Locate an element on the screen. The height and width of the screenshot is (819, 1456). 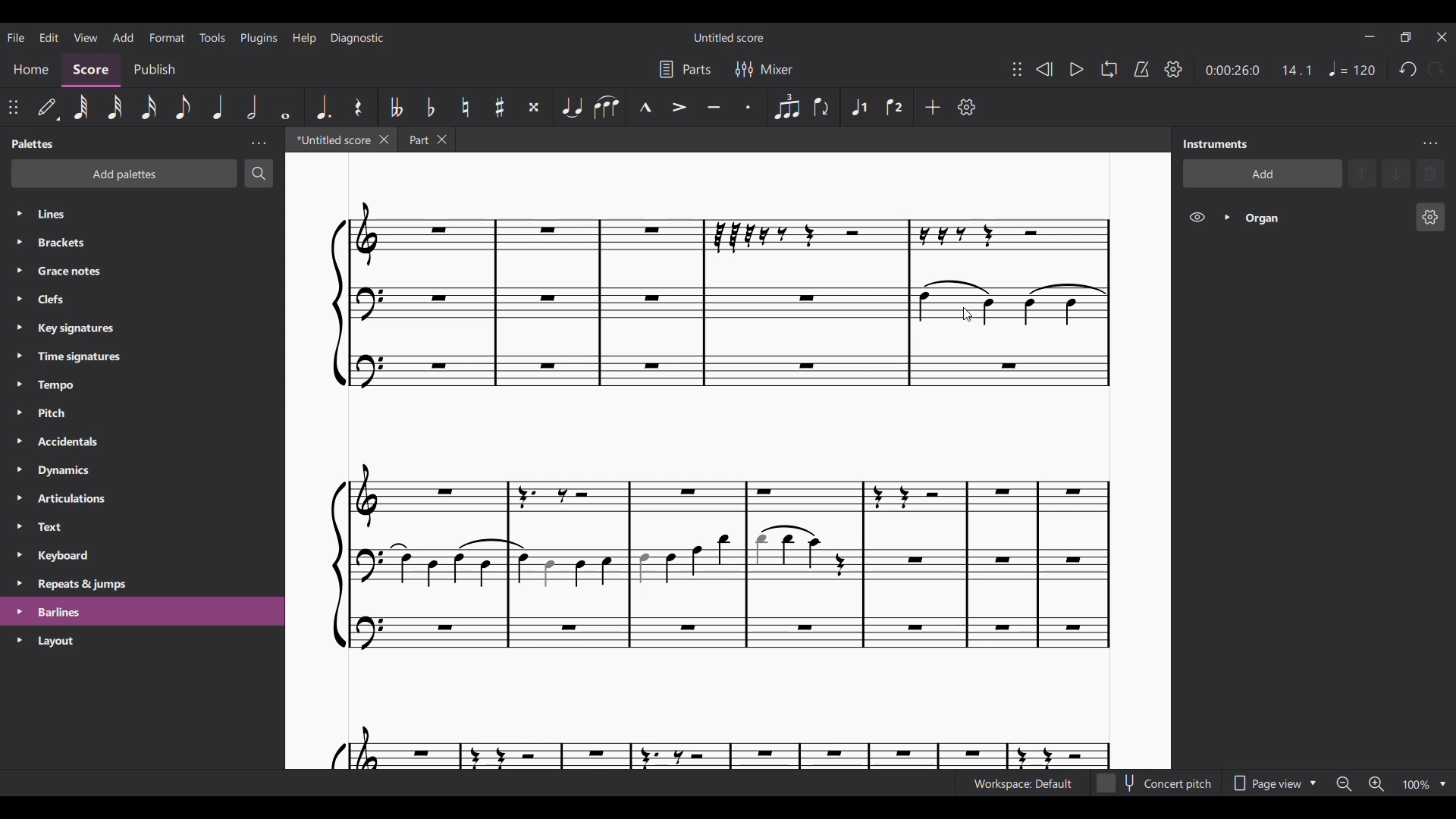
Tuplet is located at coordinates (786, 107).